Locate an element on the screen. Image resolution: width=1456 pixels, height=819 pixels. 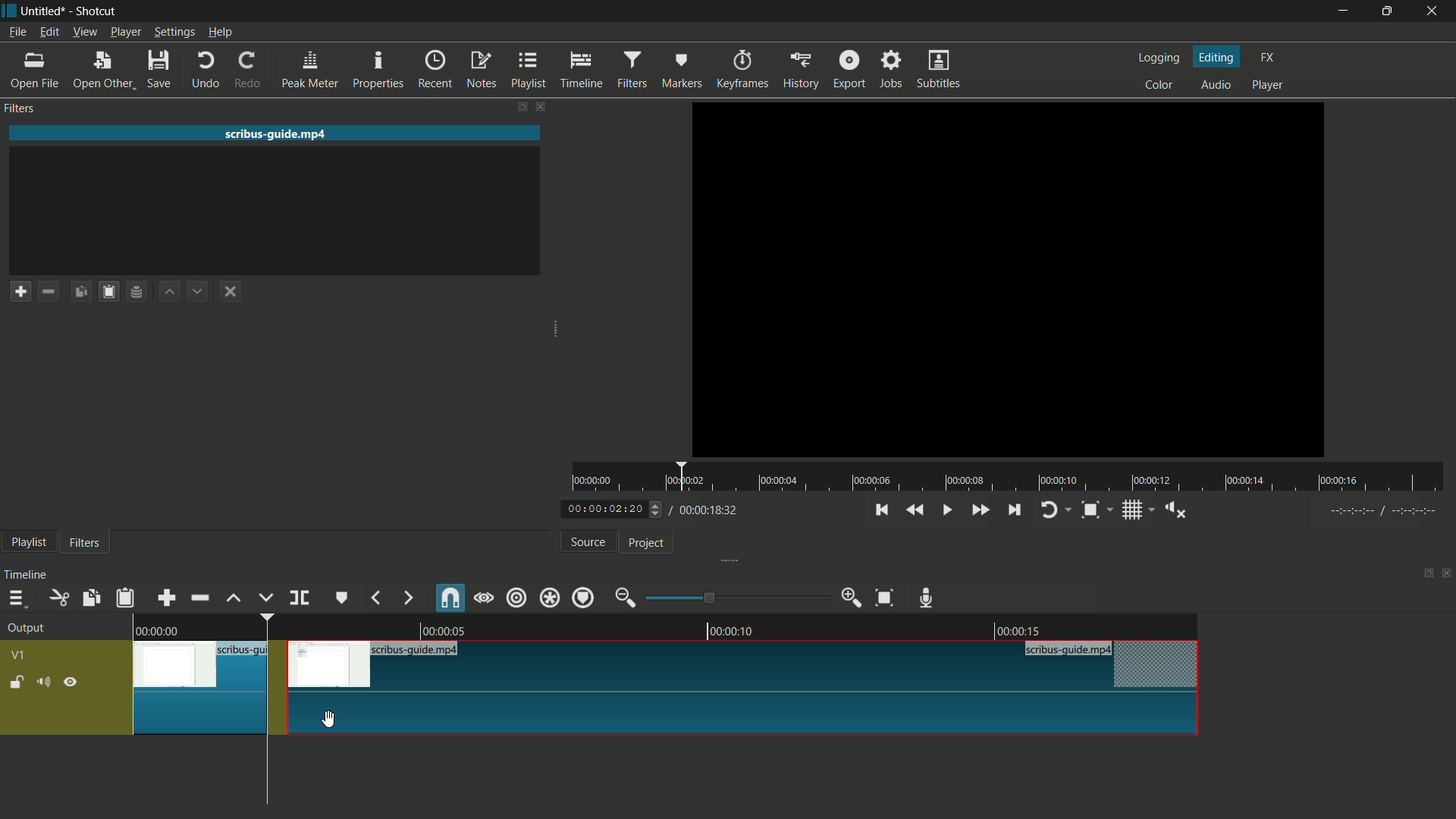
peak meter is located at coordinates (311, 69).